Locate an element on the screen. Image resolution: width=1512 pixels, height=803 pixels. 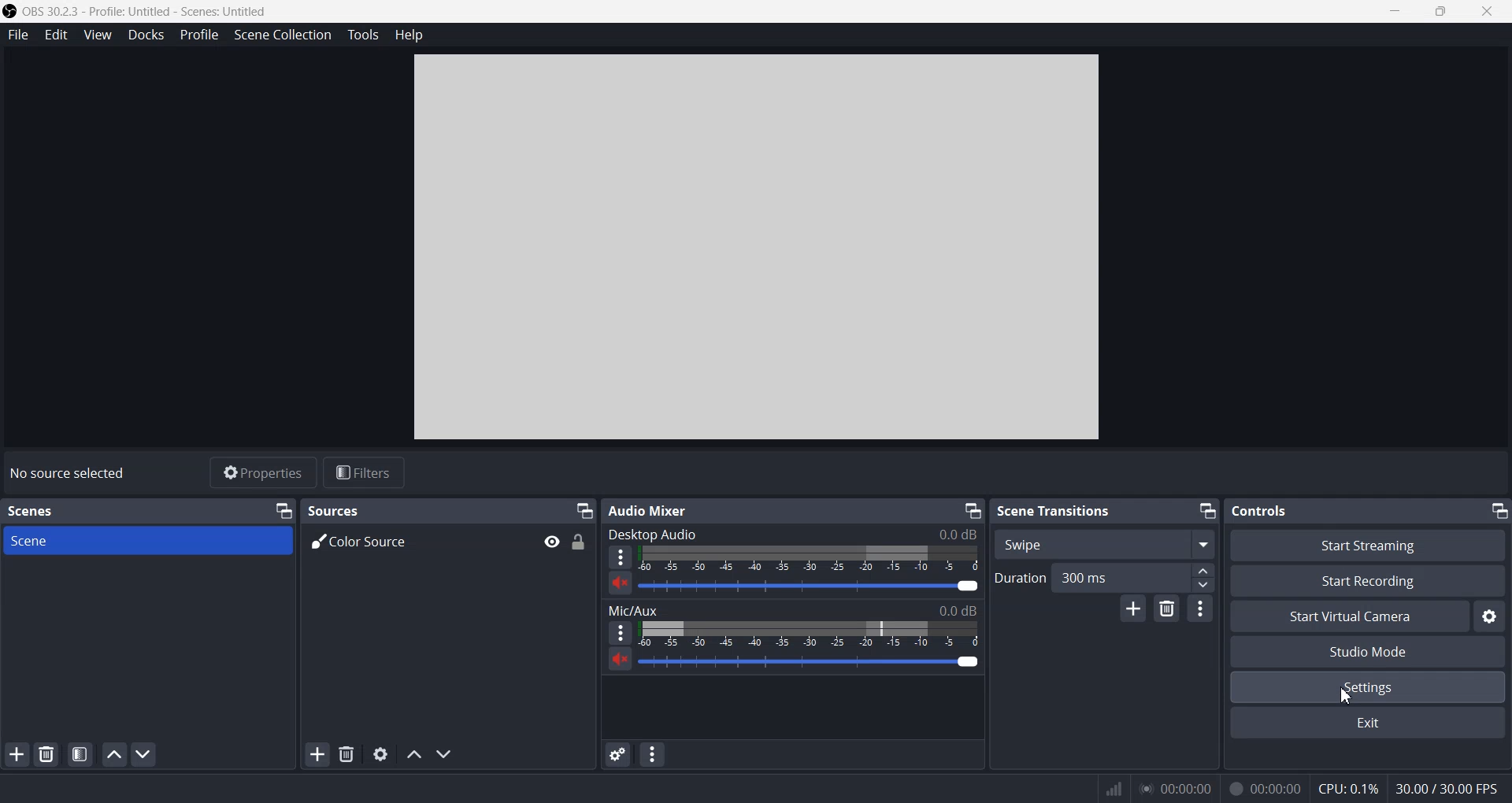
Edit is located at coordinates (56, 35).